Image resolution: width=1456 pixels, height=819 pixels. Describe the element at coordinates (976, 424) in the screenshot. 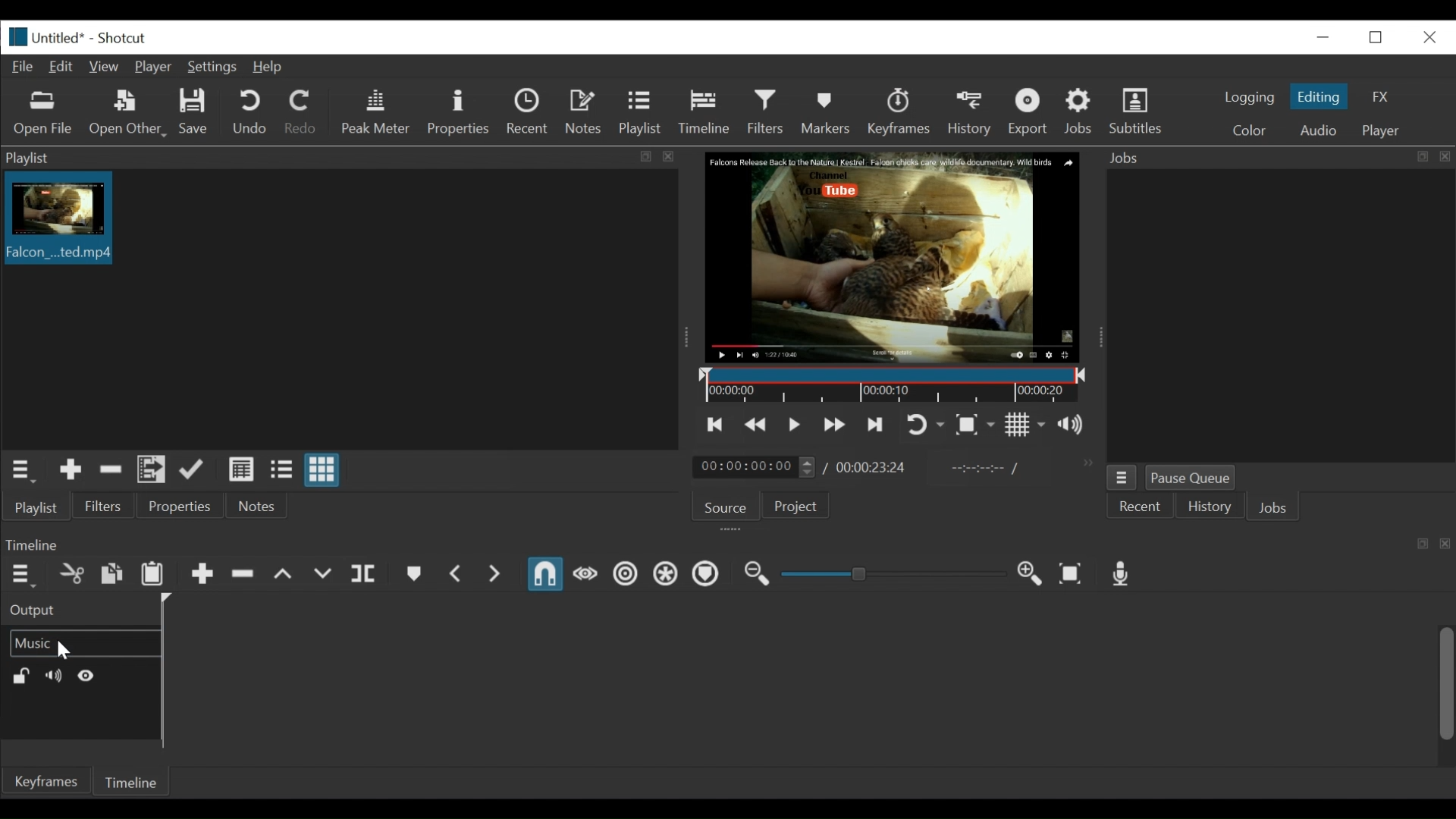

I see `Toggle Zoom` at that location.